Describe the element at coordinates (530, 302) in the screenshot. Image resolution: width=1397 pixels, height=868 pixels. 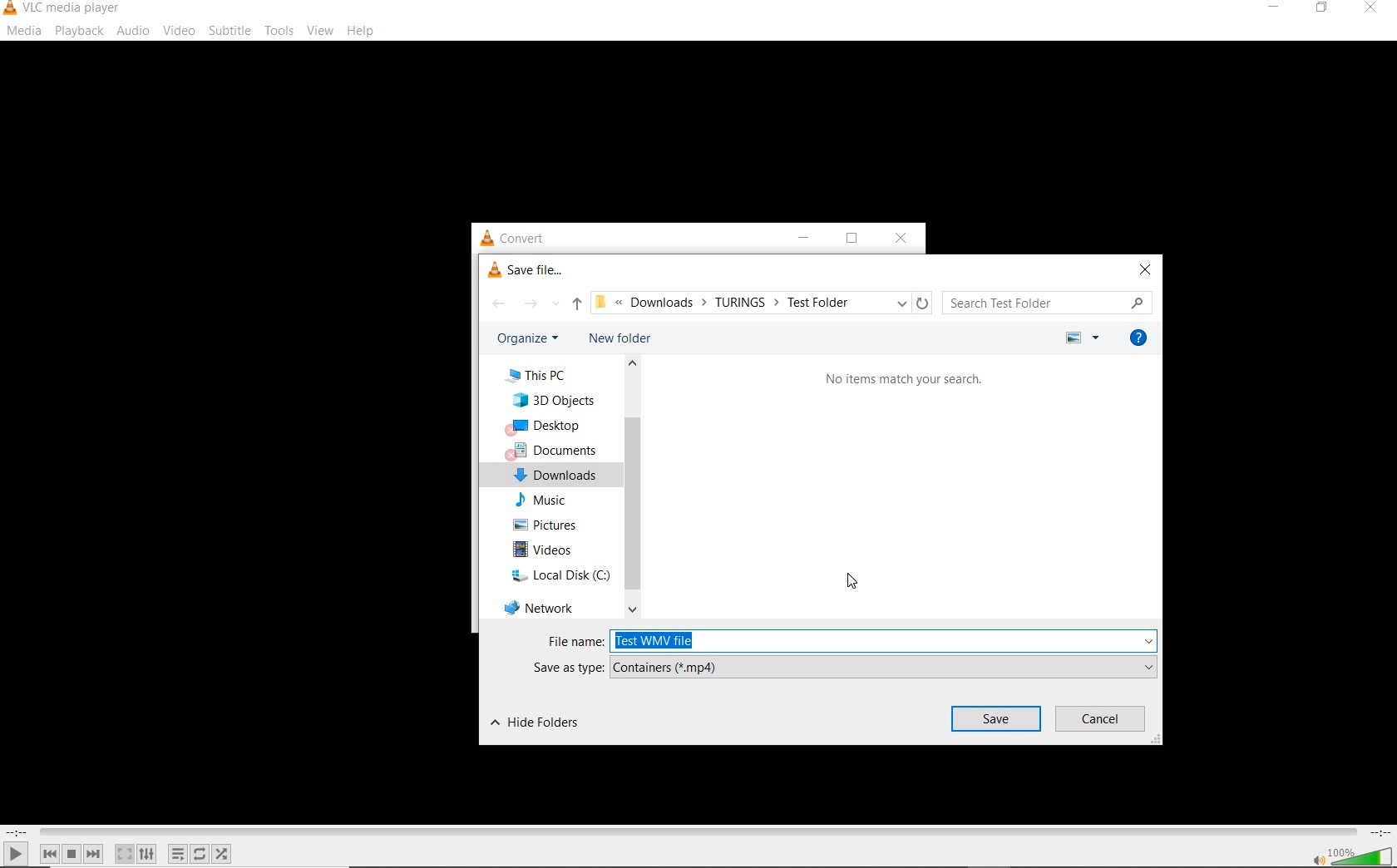
I see `forward` at that location.